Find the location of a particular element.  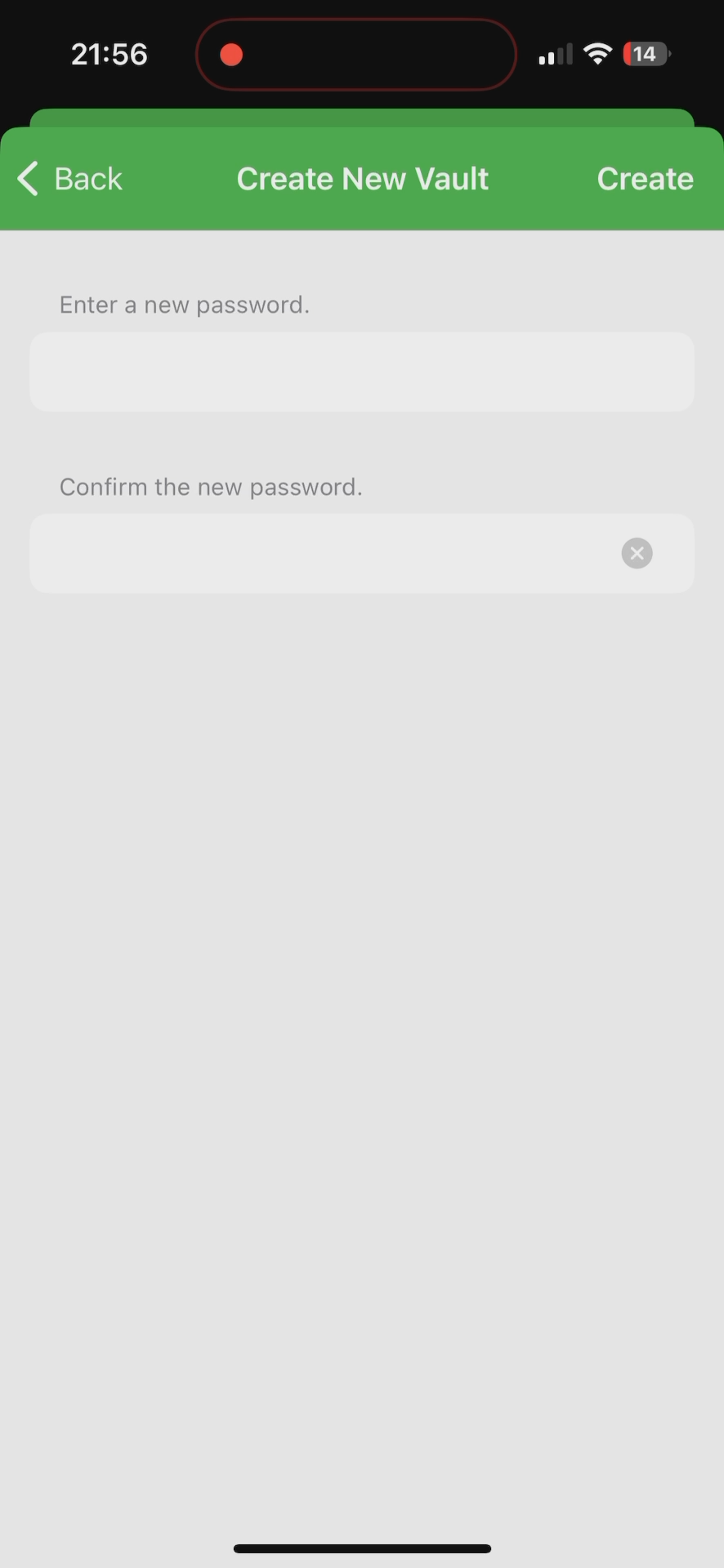

21:56 is located at coordinates (107, 57).